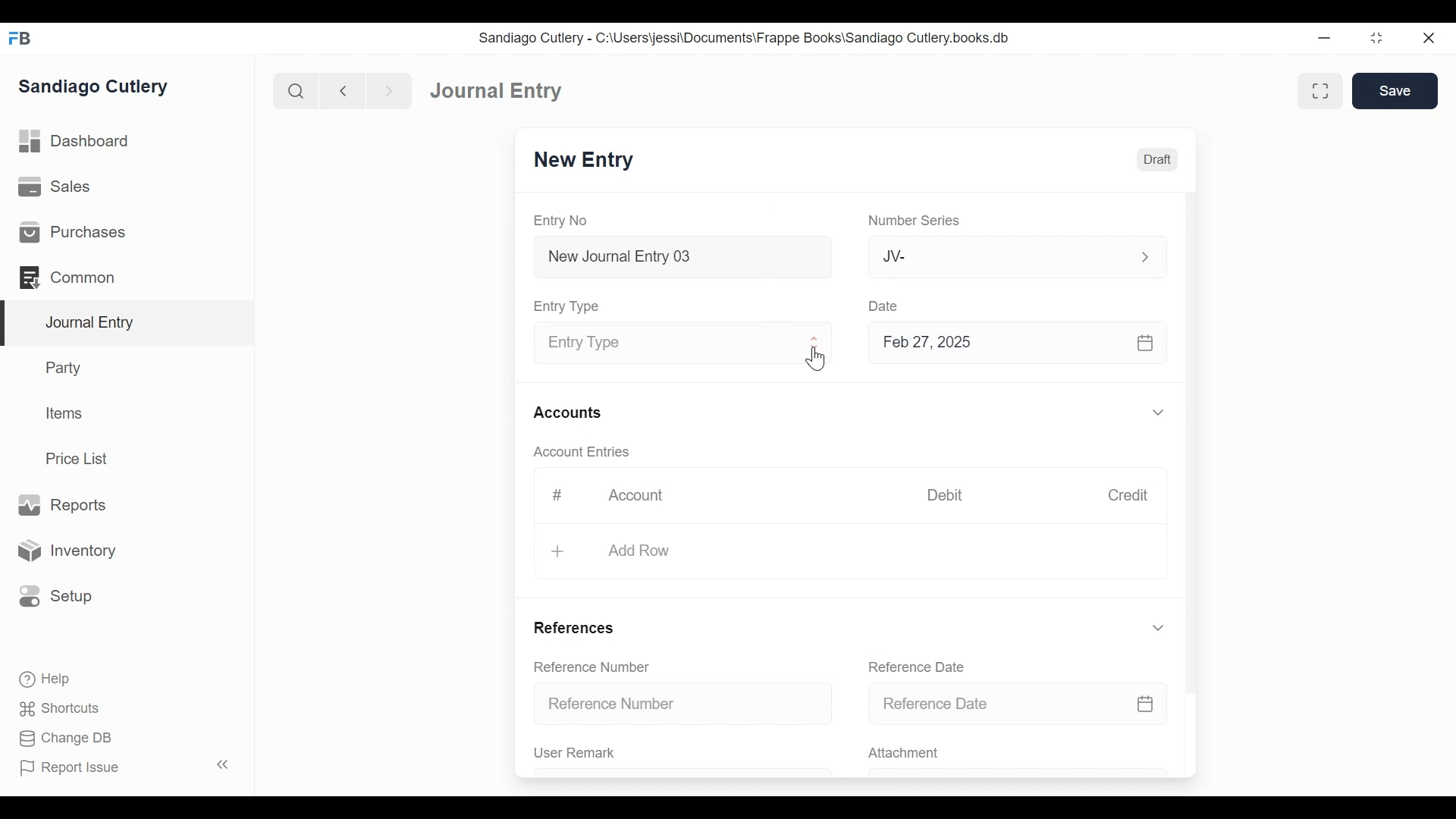 The image size is (1456, 819). I want to click on Expand, so click(1143, 256).